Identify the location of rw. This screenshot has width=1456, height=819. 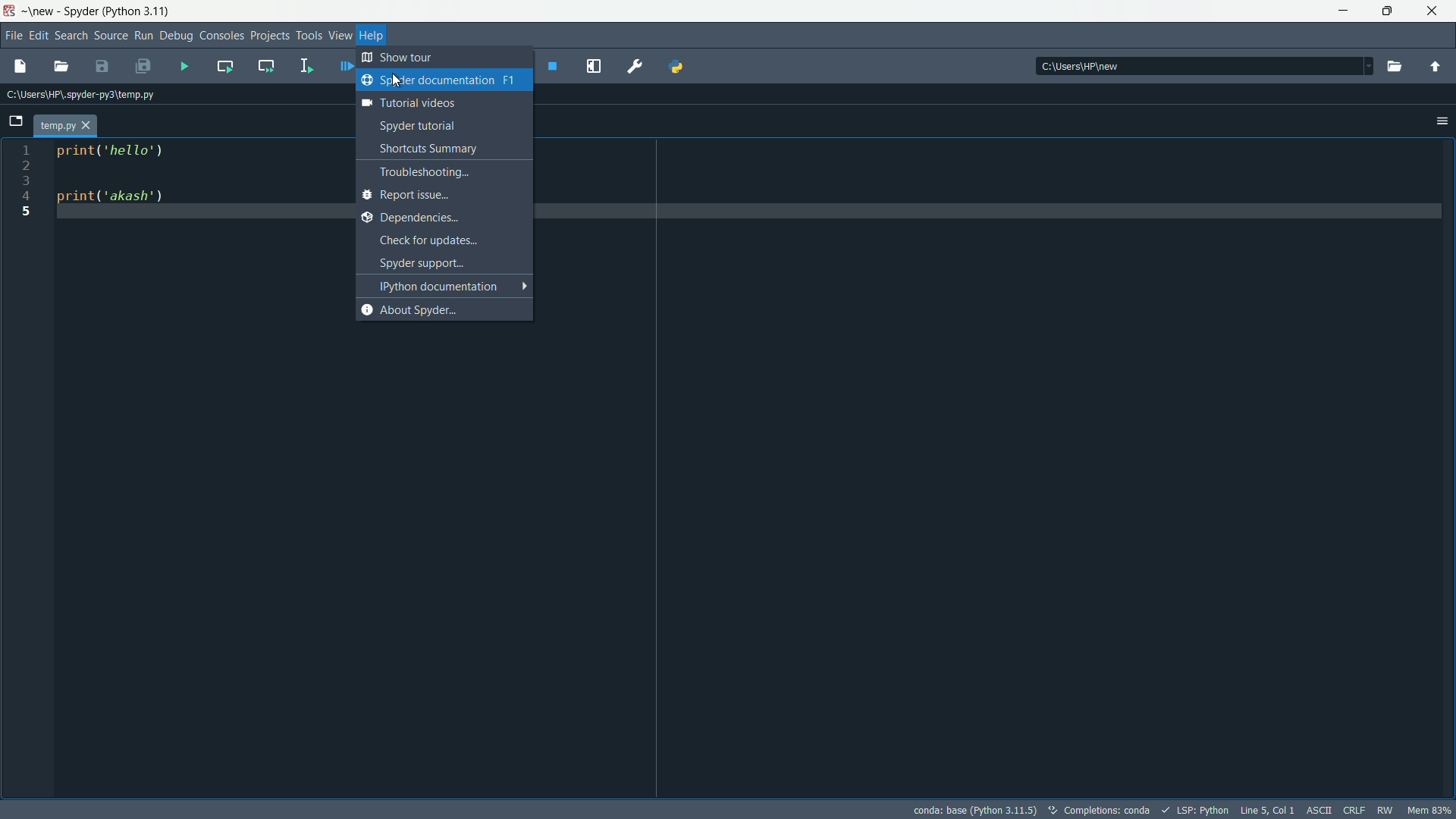
(1386, 810).